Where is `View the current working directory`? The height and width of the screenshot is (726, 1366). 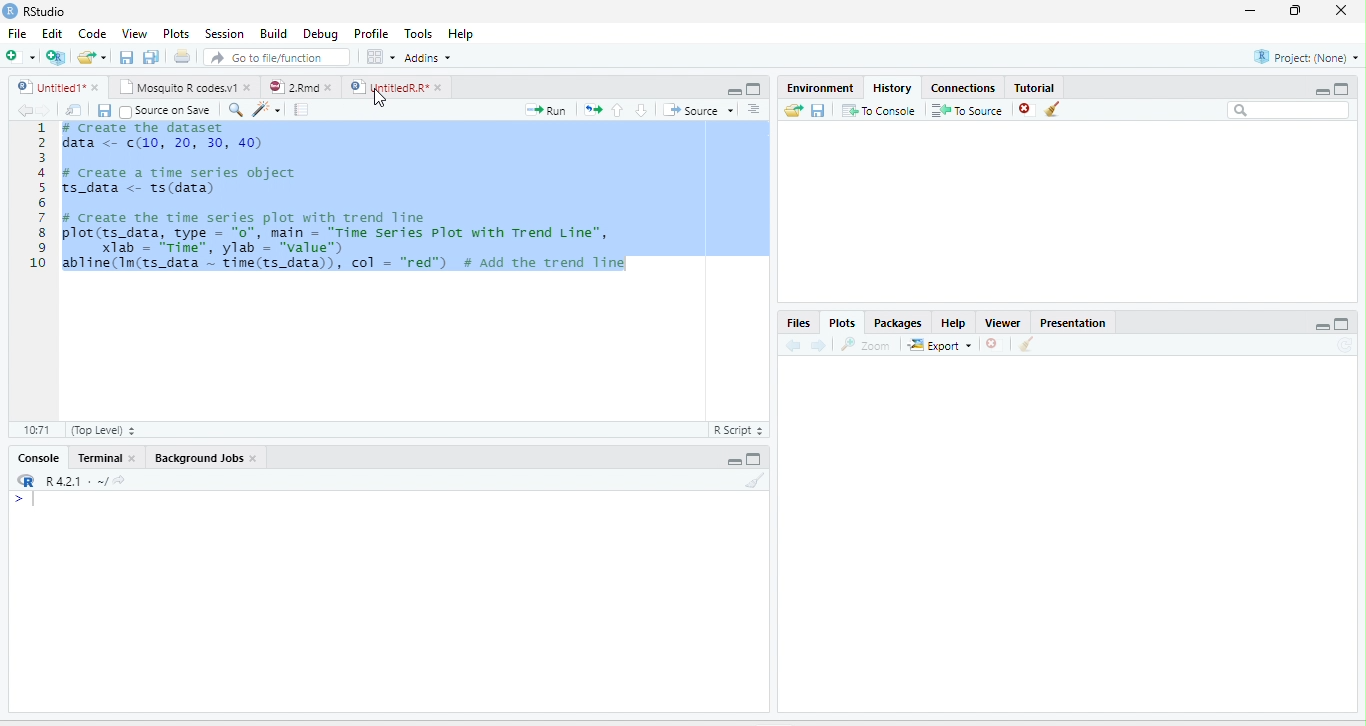
View the current working directory is located at coordinates (120, 479).